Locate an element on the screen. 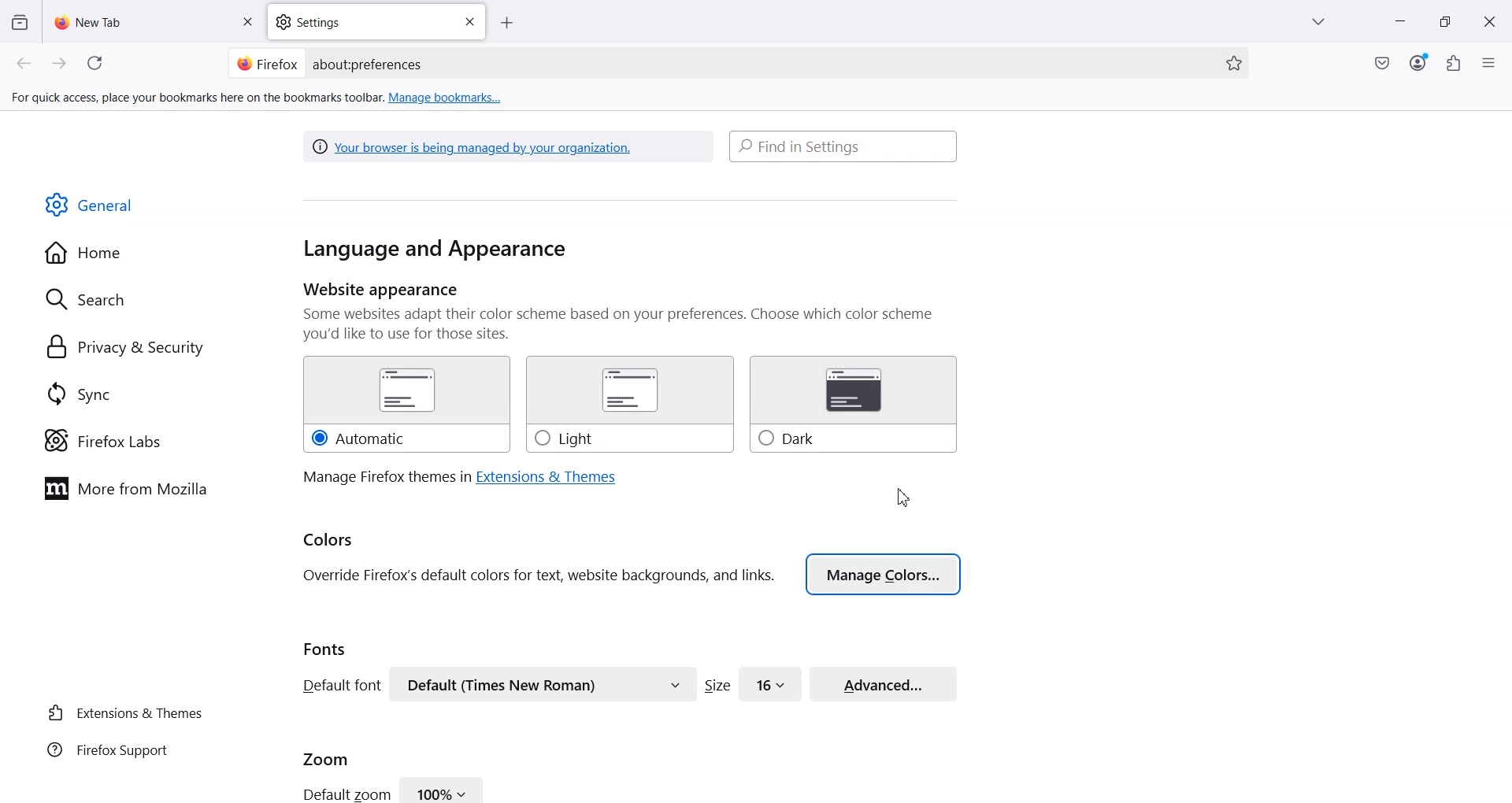 This screenshot has width=1512, height=803. Firefox is located at coordinates (267, 62).